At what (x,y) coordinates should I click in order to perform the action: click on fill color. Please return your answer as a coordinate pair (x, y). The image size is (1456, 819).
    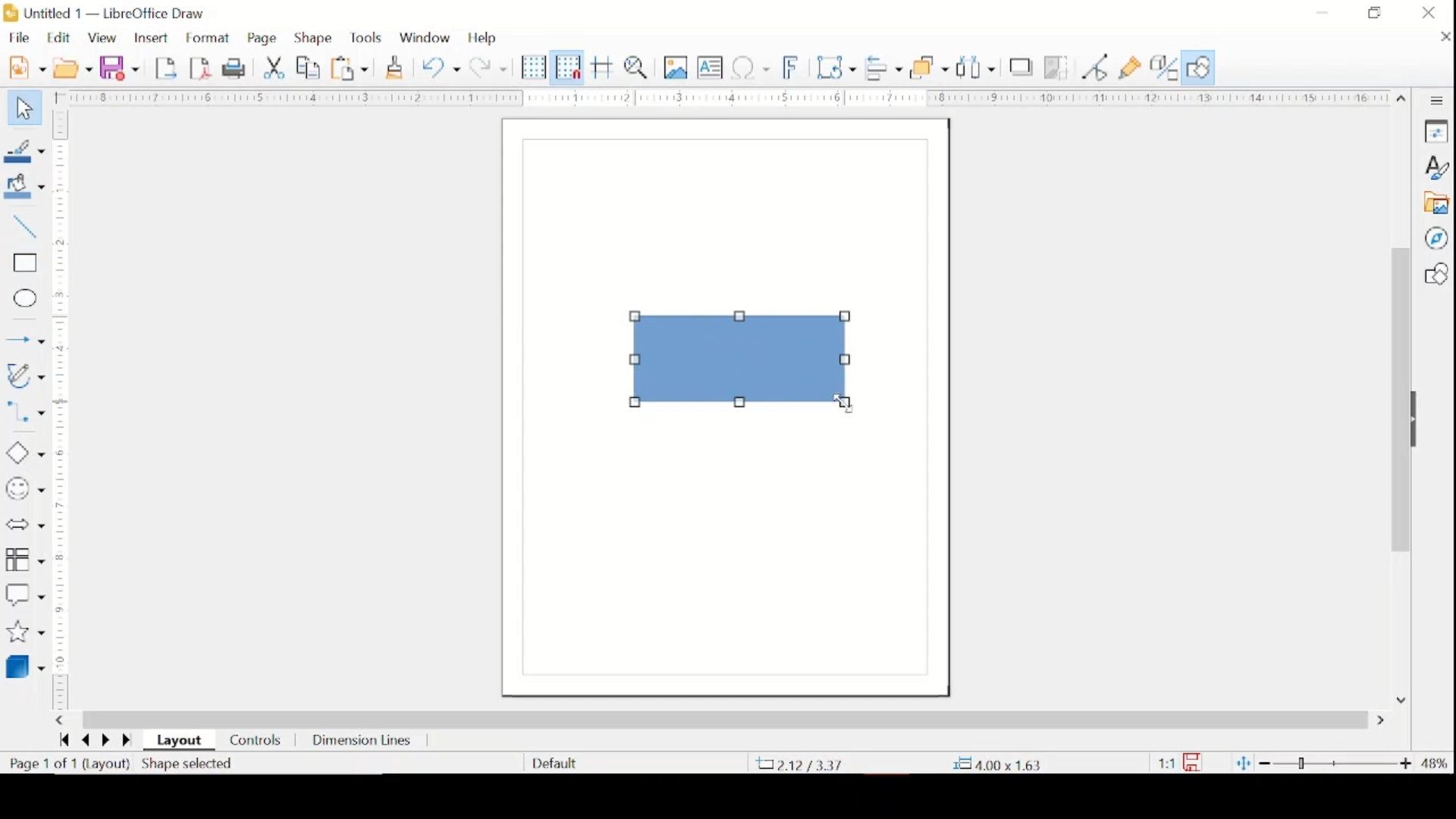
    Looking at the image, I should click on (27, 187).